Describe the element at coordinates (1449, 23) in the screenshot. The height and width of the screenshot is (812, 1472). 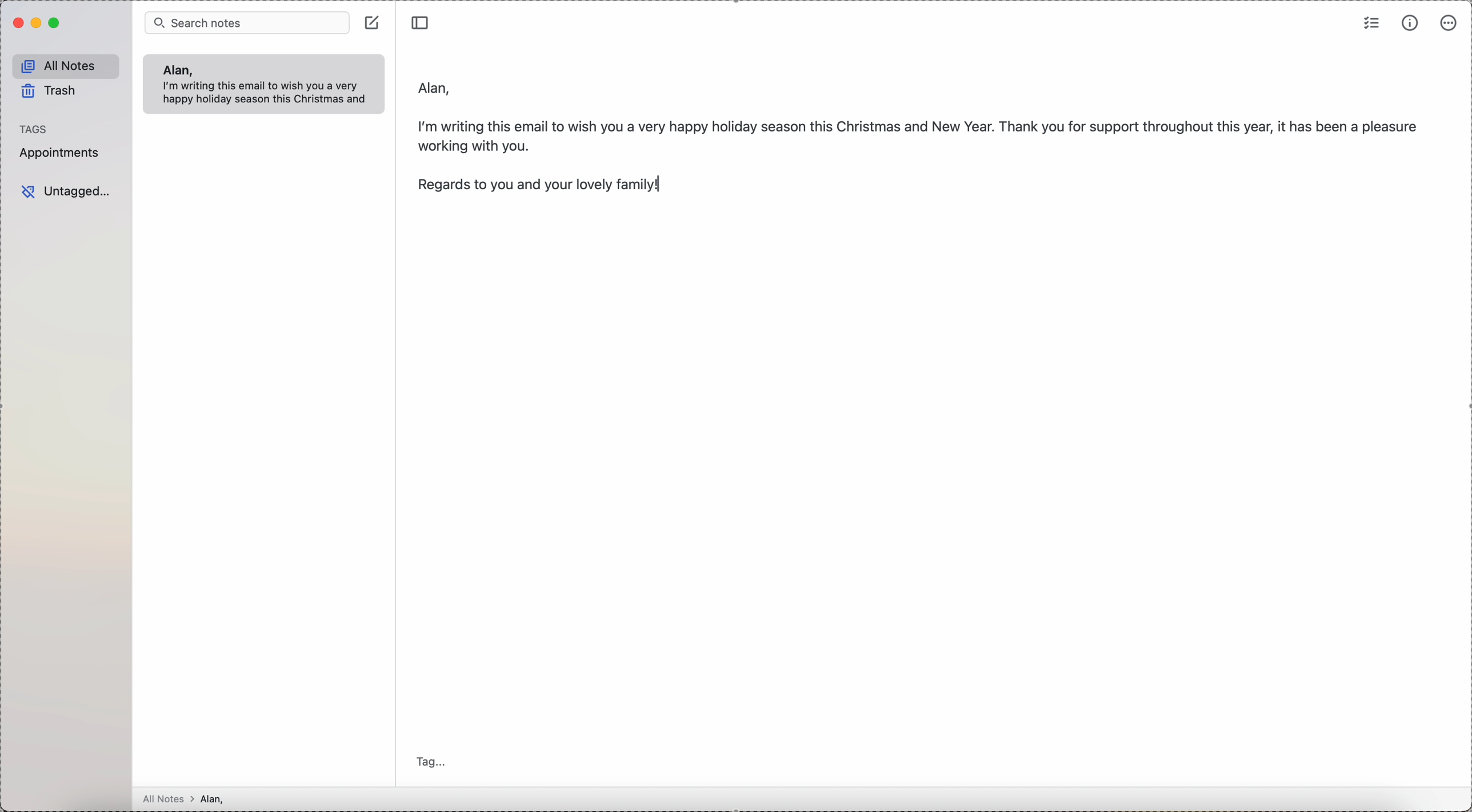
I see `more options` at that location.